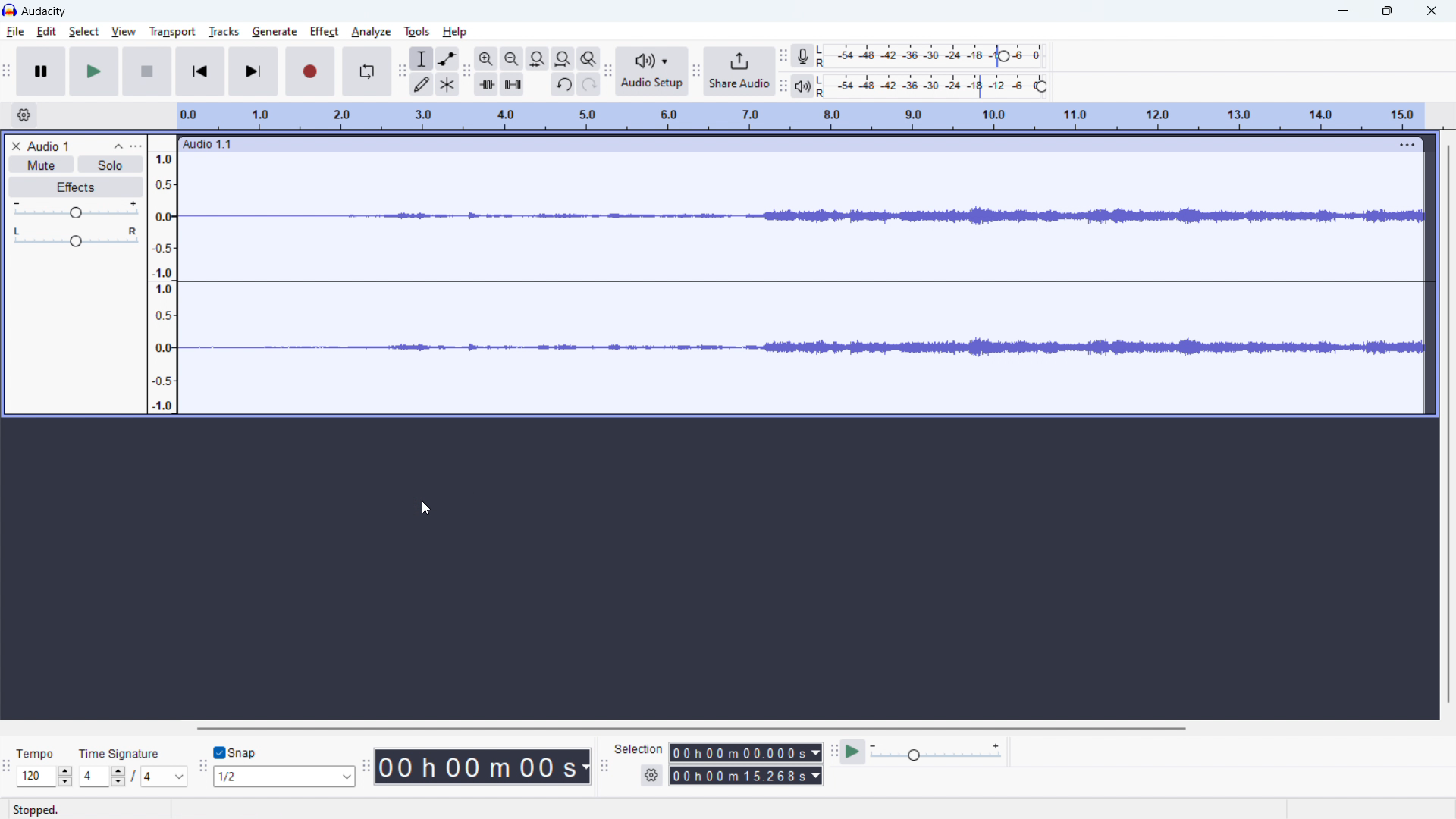 The width and height of the screenshot is (1456, 819). Describe the element at coordinates (200, 71) in the screenshot. I see `skip to start` at that location.